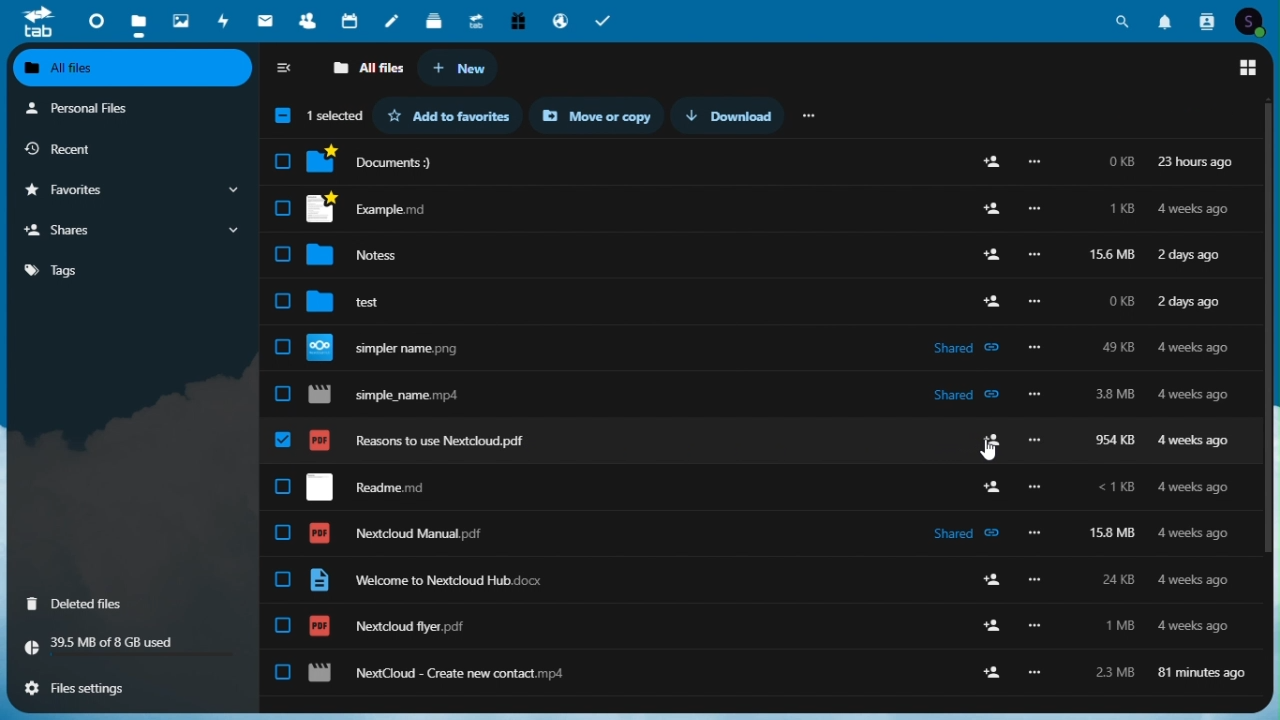 The image size is (1280, 720). What do you see at coordinates (964, 347) in the screenshot?
I see `shared` at bounding box center [964, 347].